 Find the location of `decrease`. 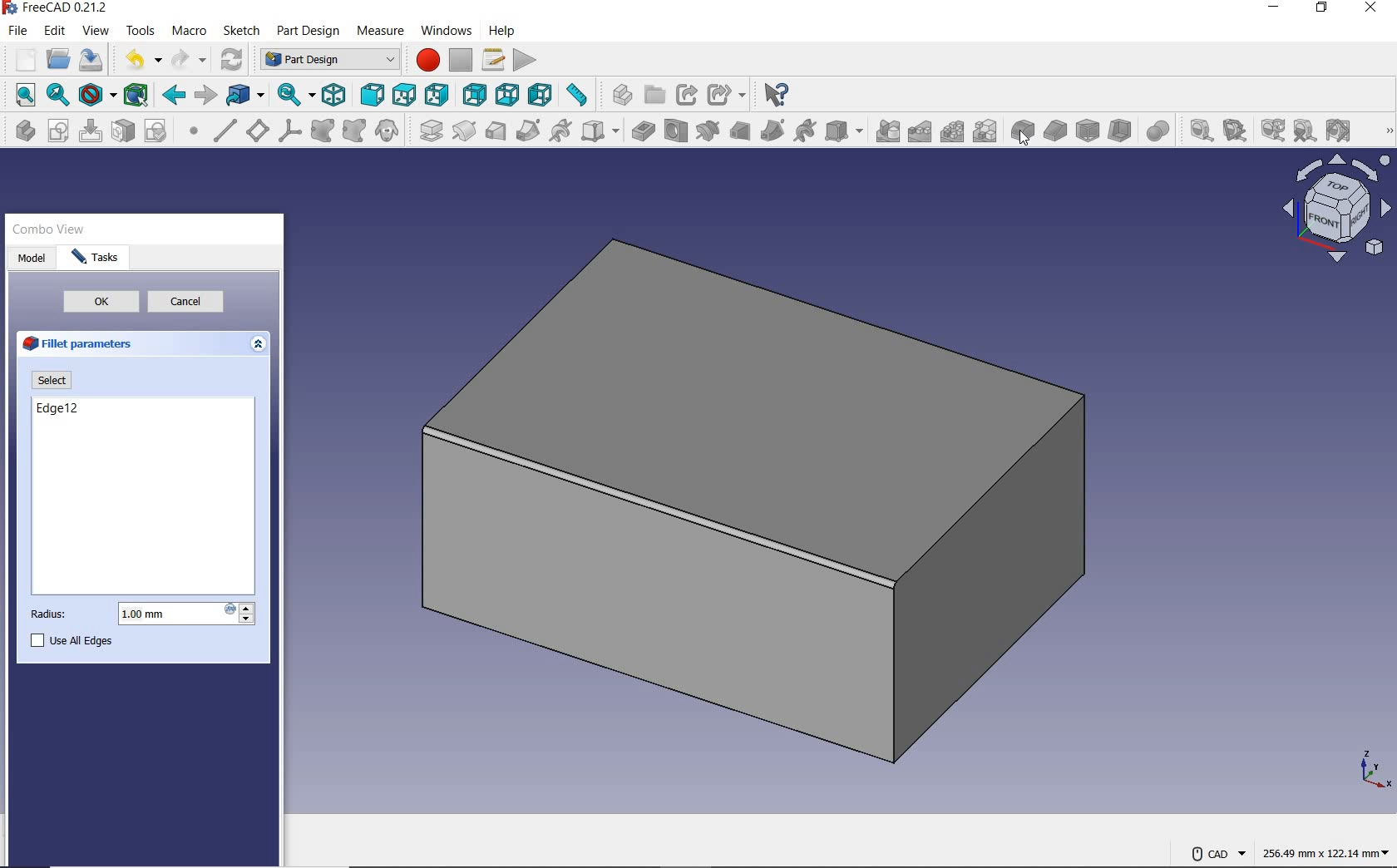

decrease is located at coordinates (248, 621).